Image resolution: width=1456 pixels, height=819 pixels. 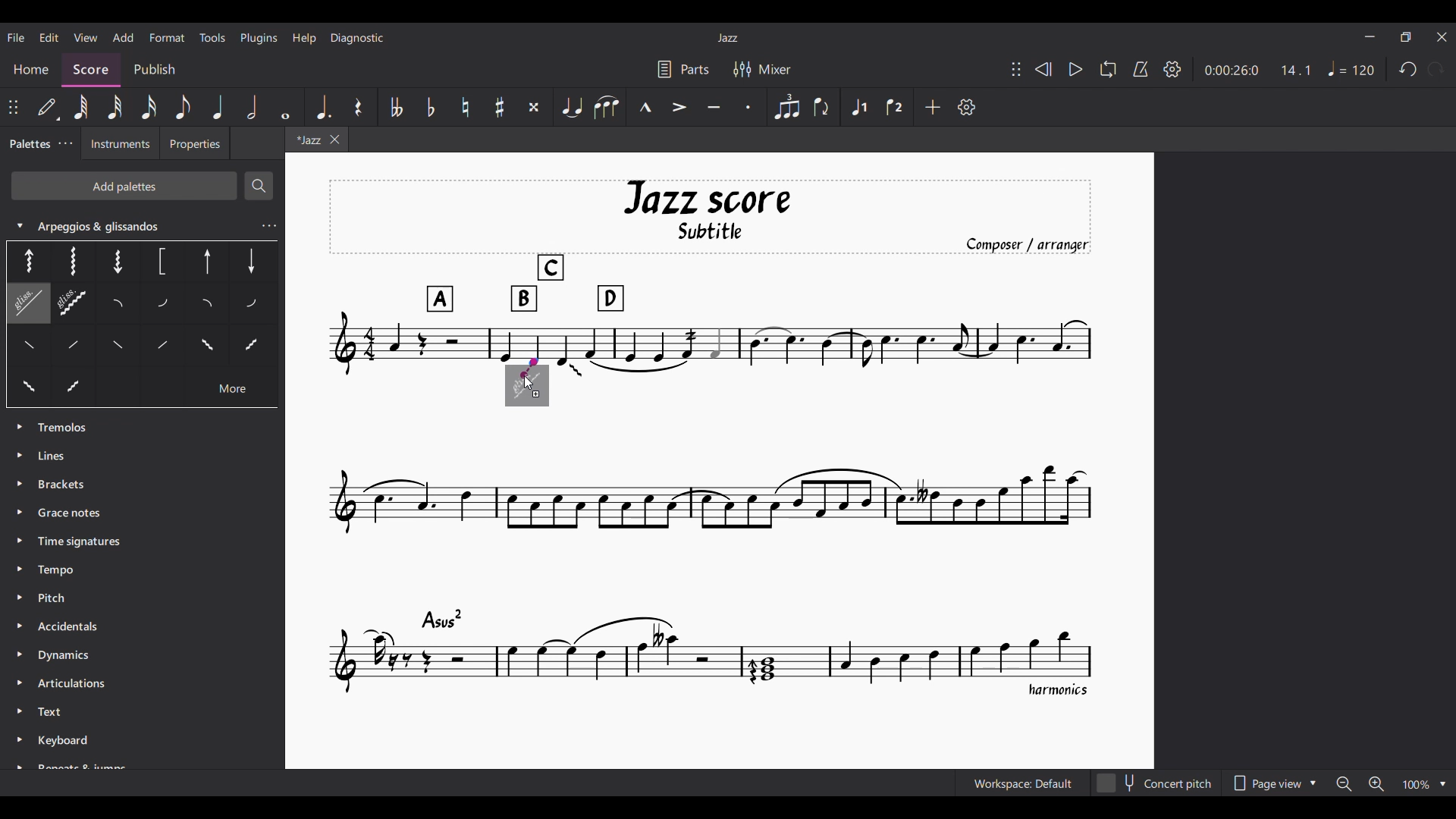 What do you see at coordinates (124, 37) in the screenshot?
I see `Add menu` at bounding box center [124, 37].